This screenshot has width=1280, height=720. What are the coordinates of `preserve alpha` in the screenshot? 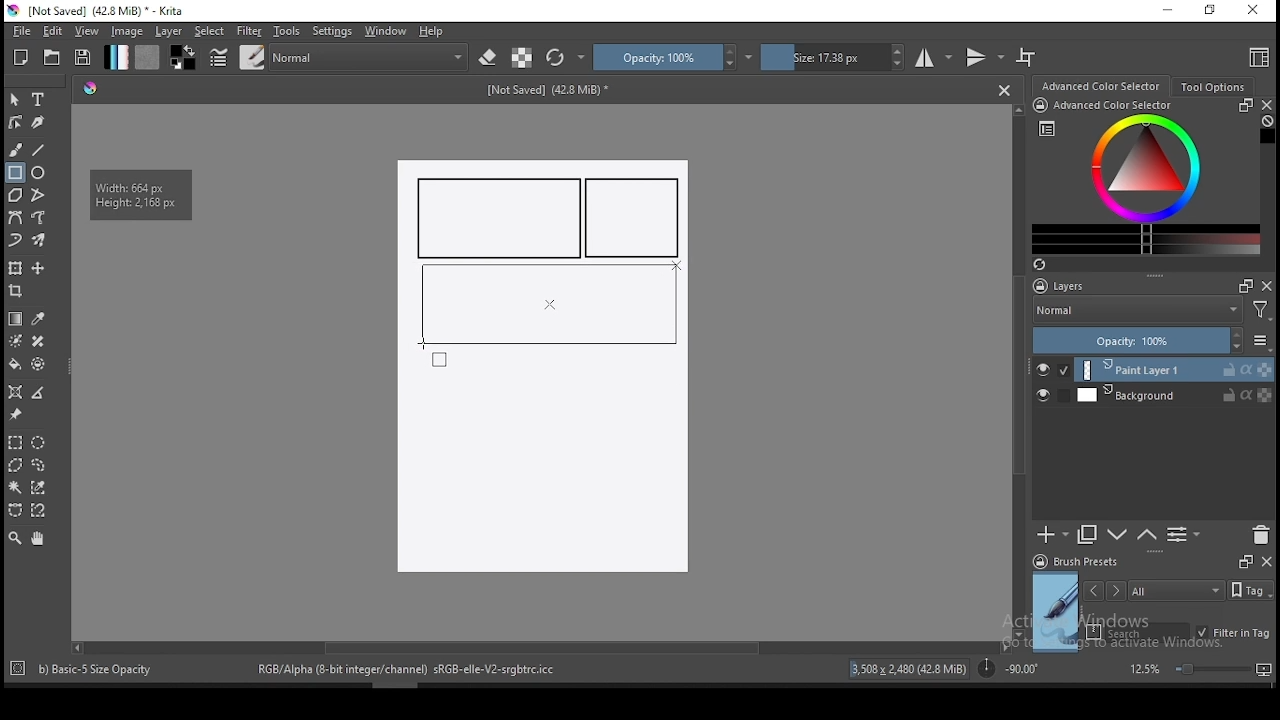 It's located at (522, 59).